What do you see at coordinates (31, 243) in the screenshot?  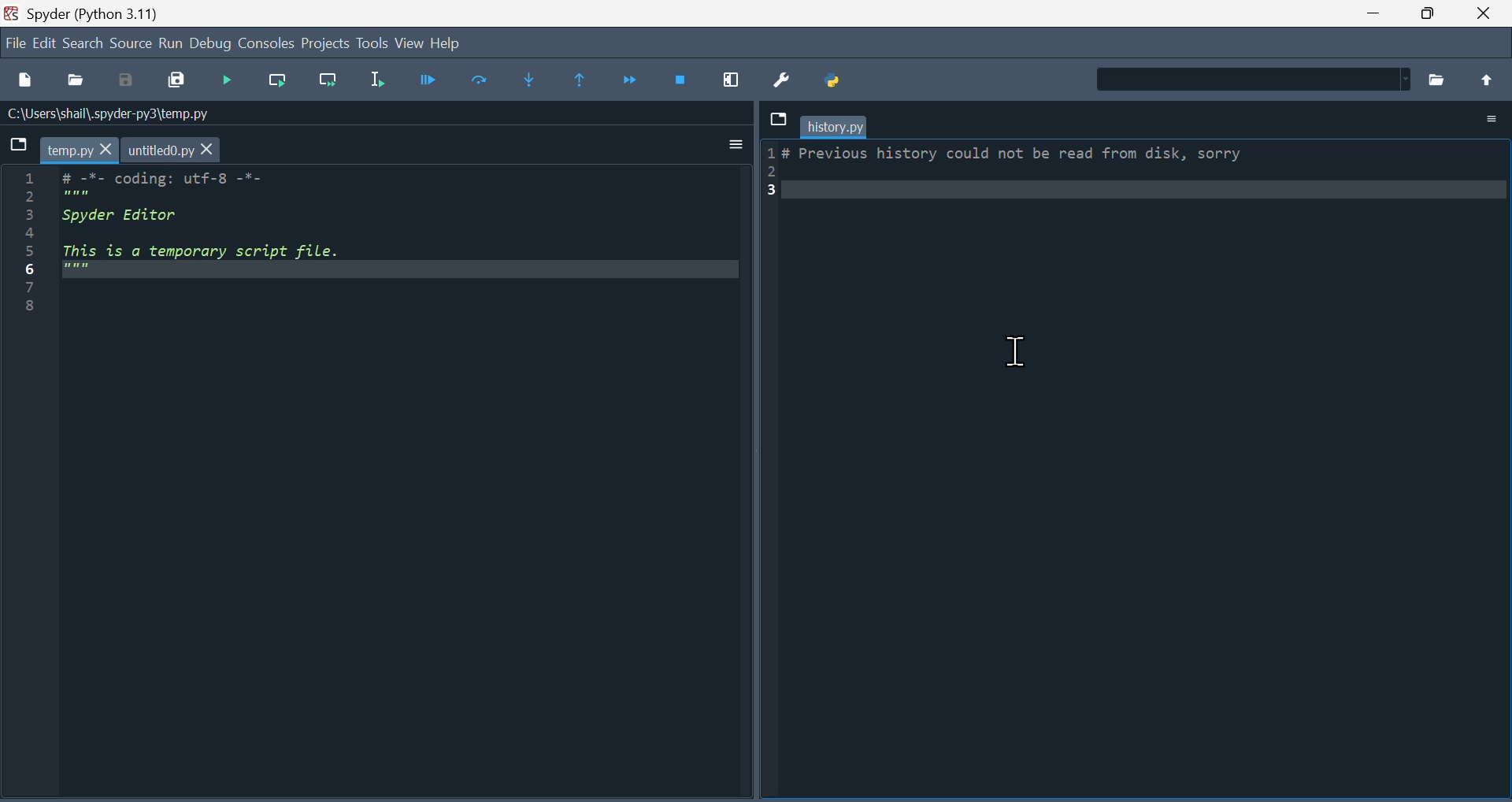 I see `serial numbers` at bounding box center [31, 243].